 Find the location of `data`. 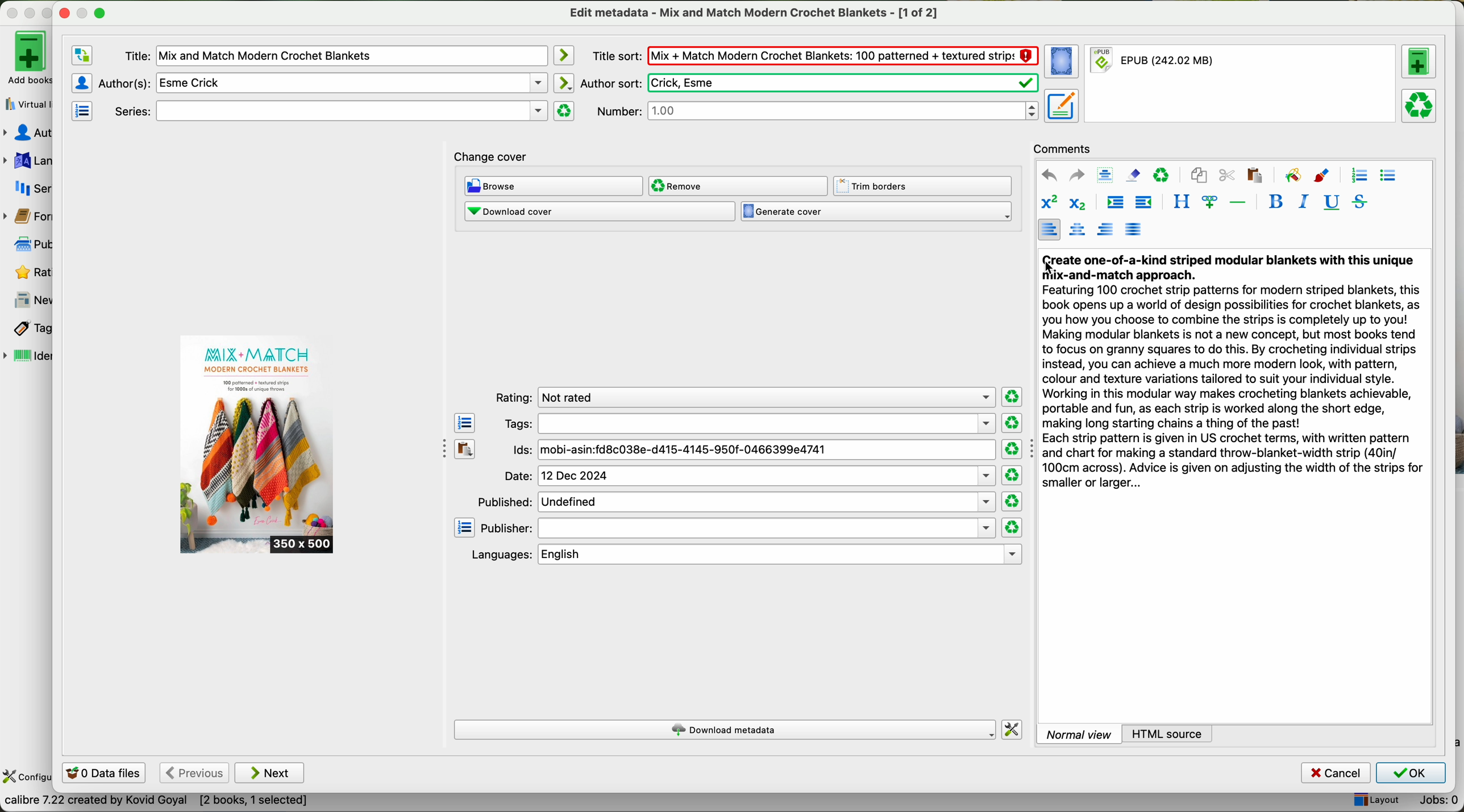

data is located at coordinates (156, 803).